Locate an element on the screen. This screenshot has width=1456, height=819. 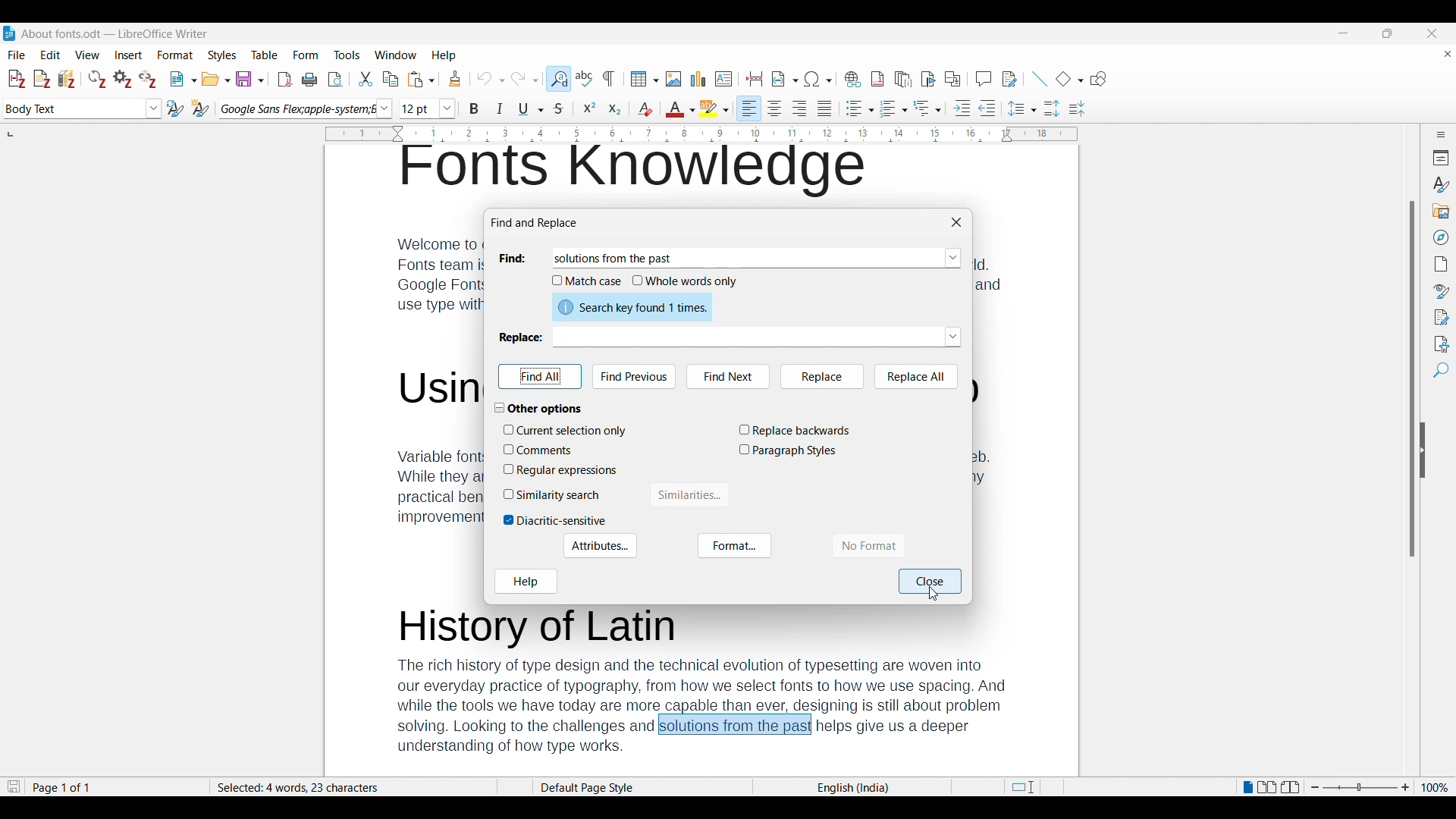
Toggle for Paragraph Styles is located at coordinates (789, 451).